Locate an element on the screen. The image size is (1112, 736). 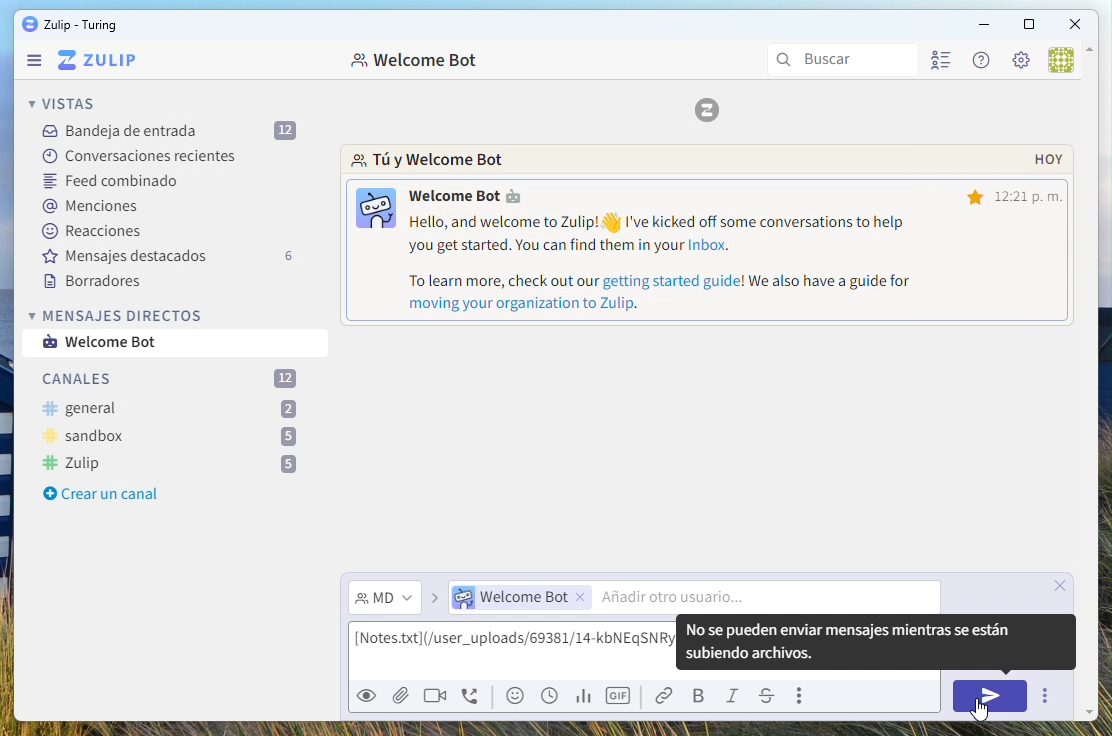
Zulip is located at coordinates (69, 25).